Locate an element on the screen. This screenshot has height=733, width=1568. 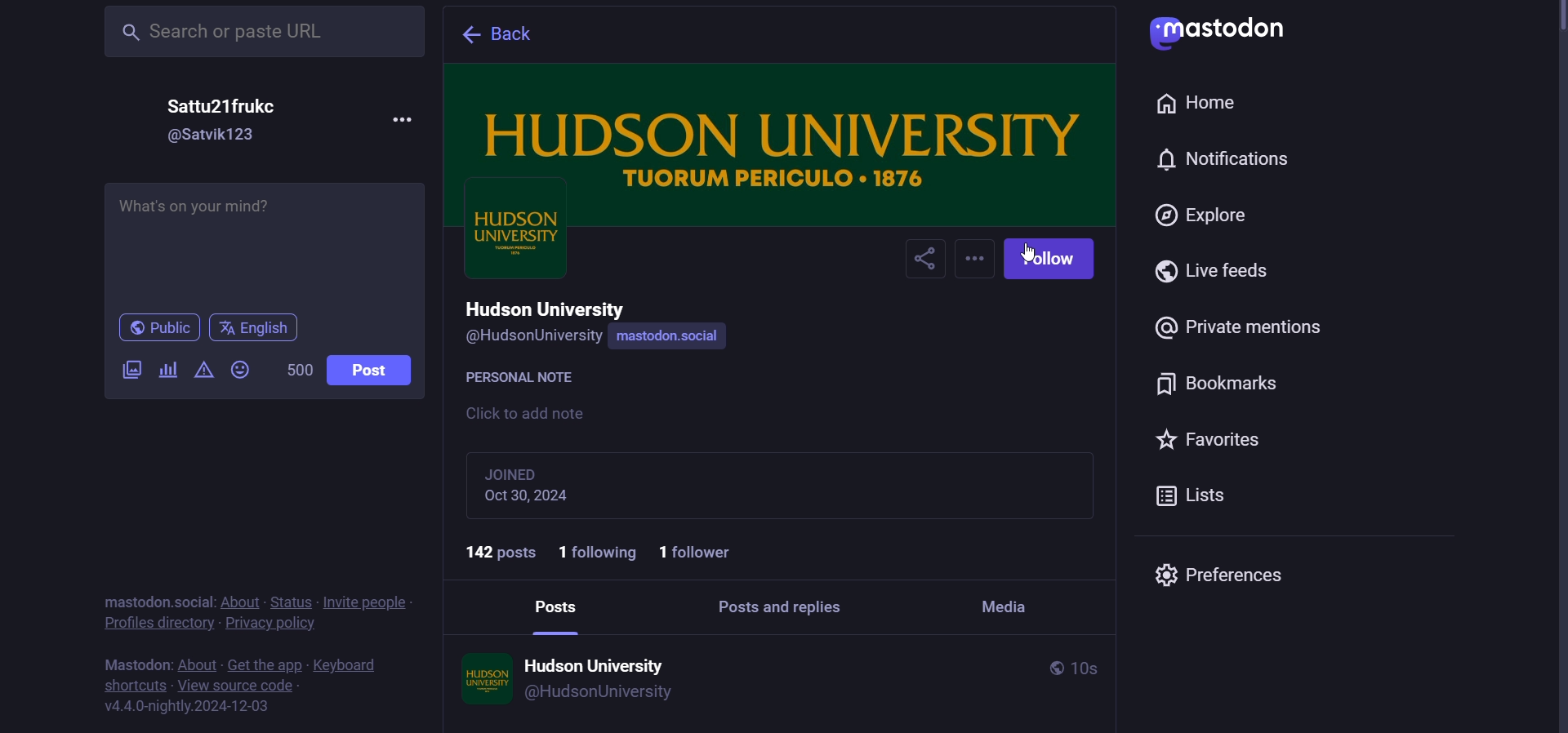
status is located at coordinates (292, 601).